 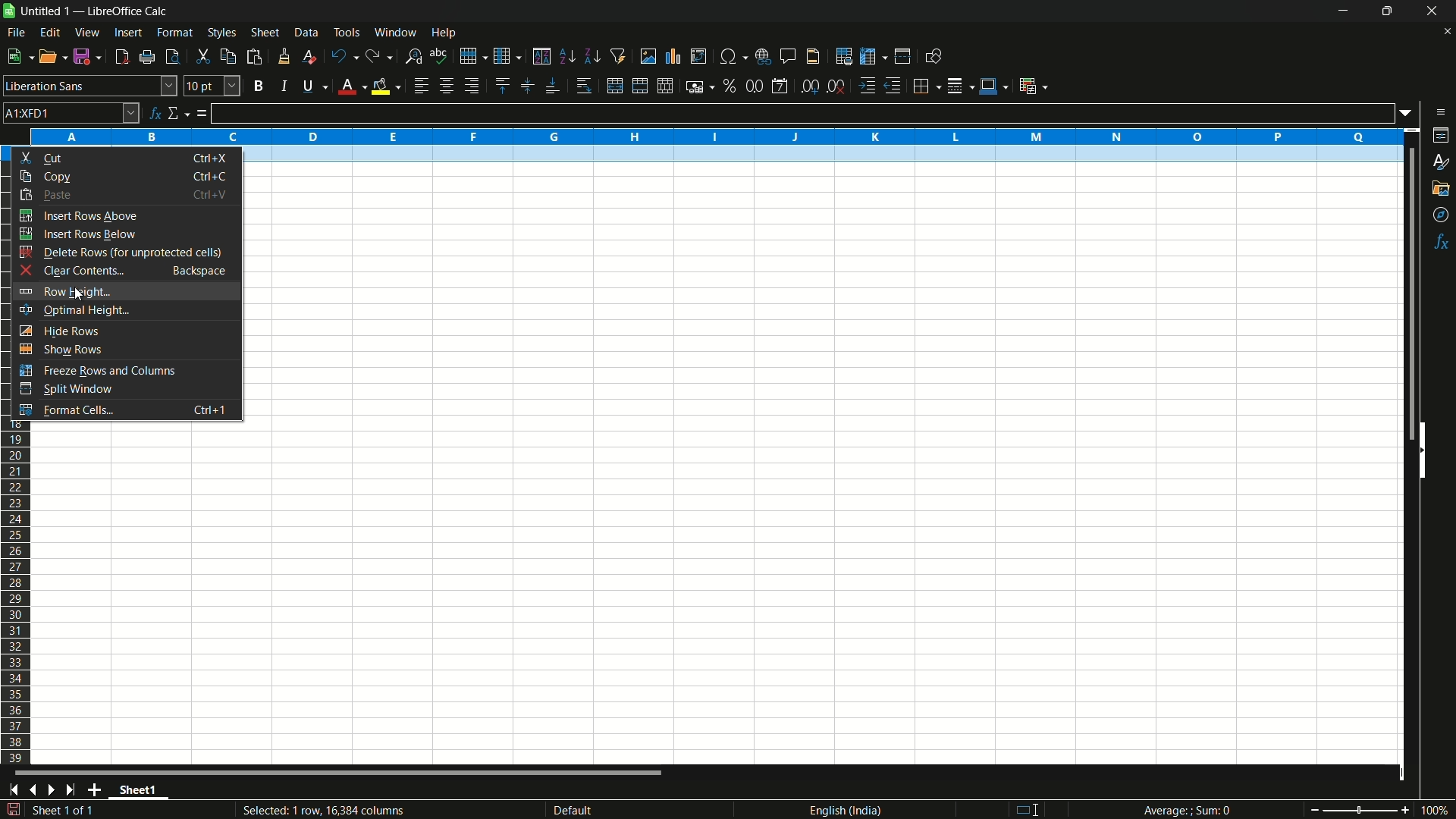 What do you see at coordinates (1442, 135) in the screenshot?
I see `properties` at bounding box center [1442, 135].